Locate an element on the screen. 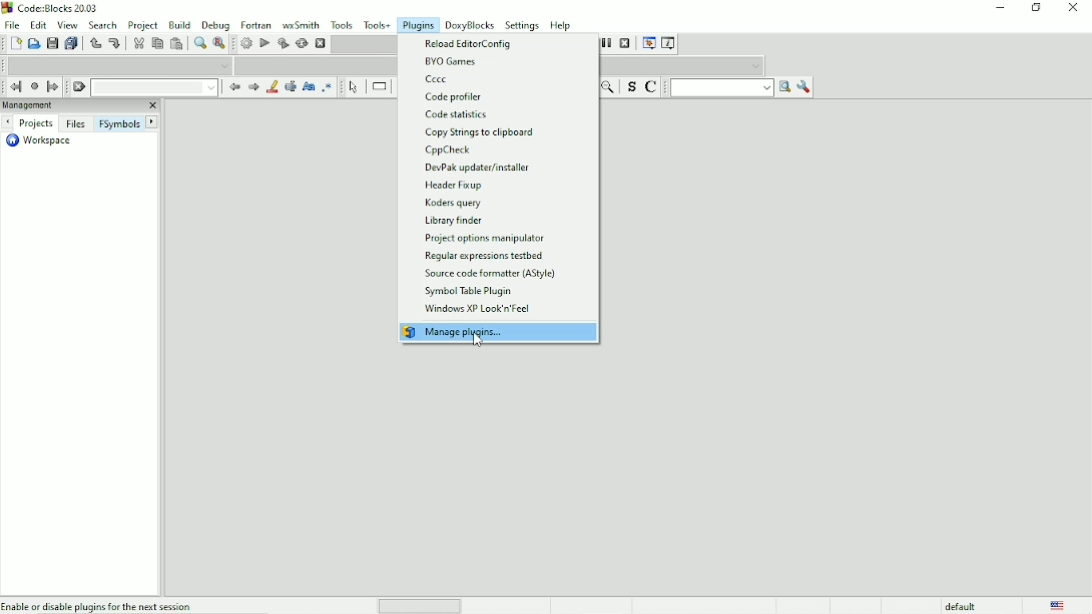 The width and height of the screenshot is (1092, 614). Text run is located at coordinates (721, 88).